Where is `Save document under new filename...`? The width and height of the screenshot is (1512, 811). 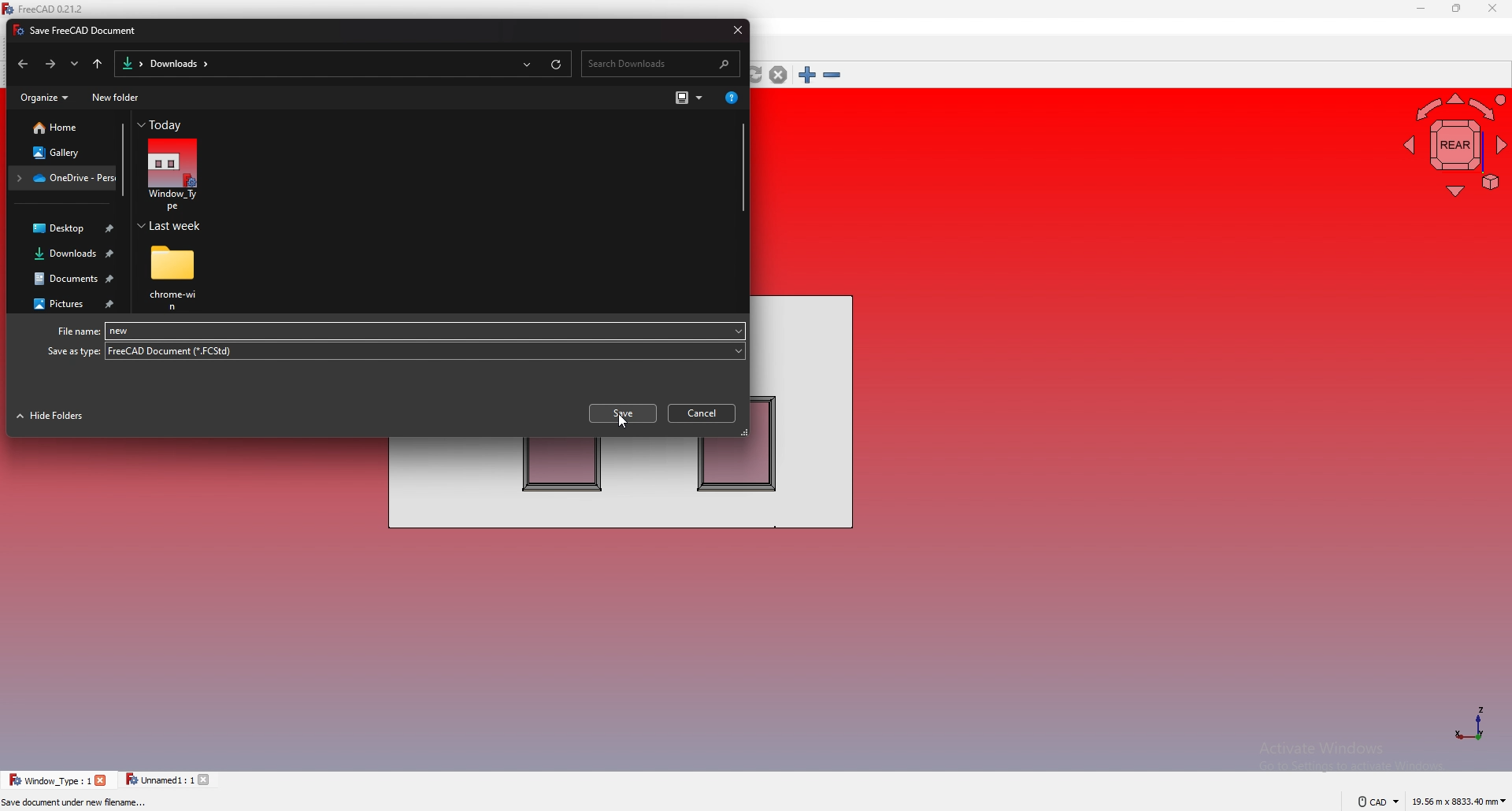 Save document under new filename... is located at coordinates (78, 803).